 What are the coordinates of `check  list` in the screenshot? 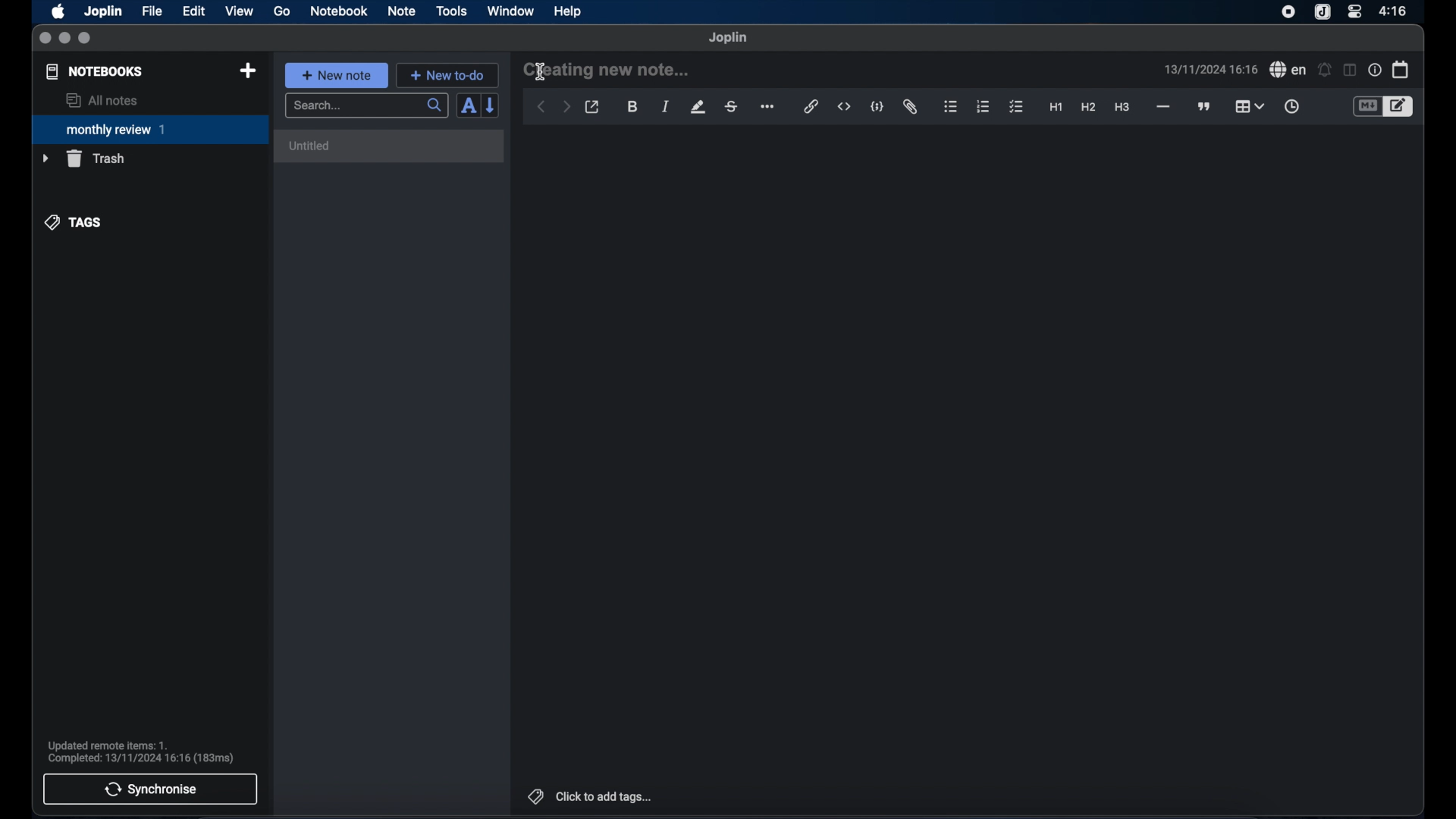 It's located at (1016, 108).